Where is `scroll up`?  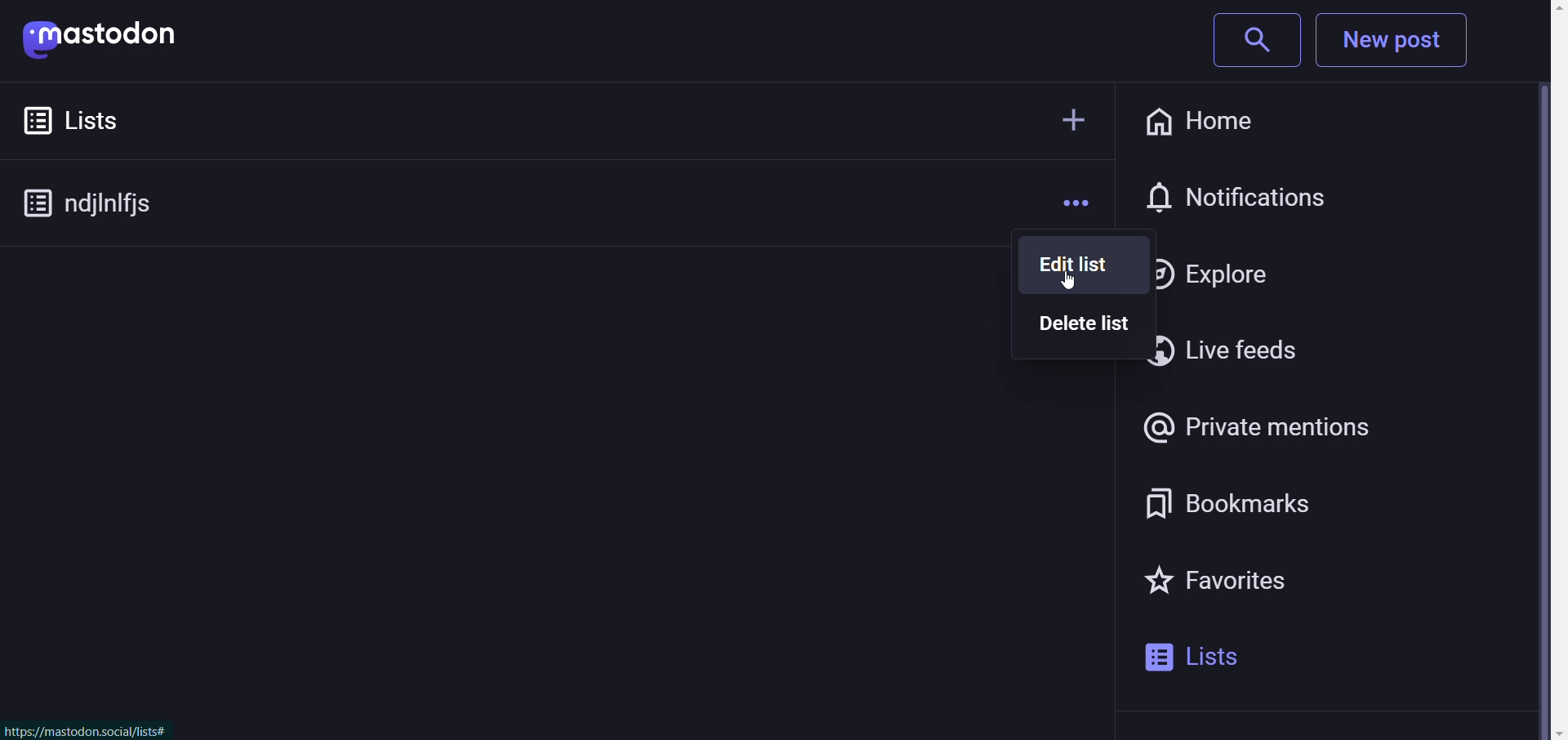 scroll up is located at coordinates (1543, 9).